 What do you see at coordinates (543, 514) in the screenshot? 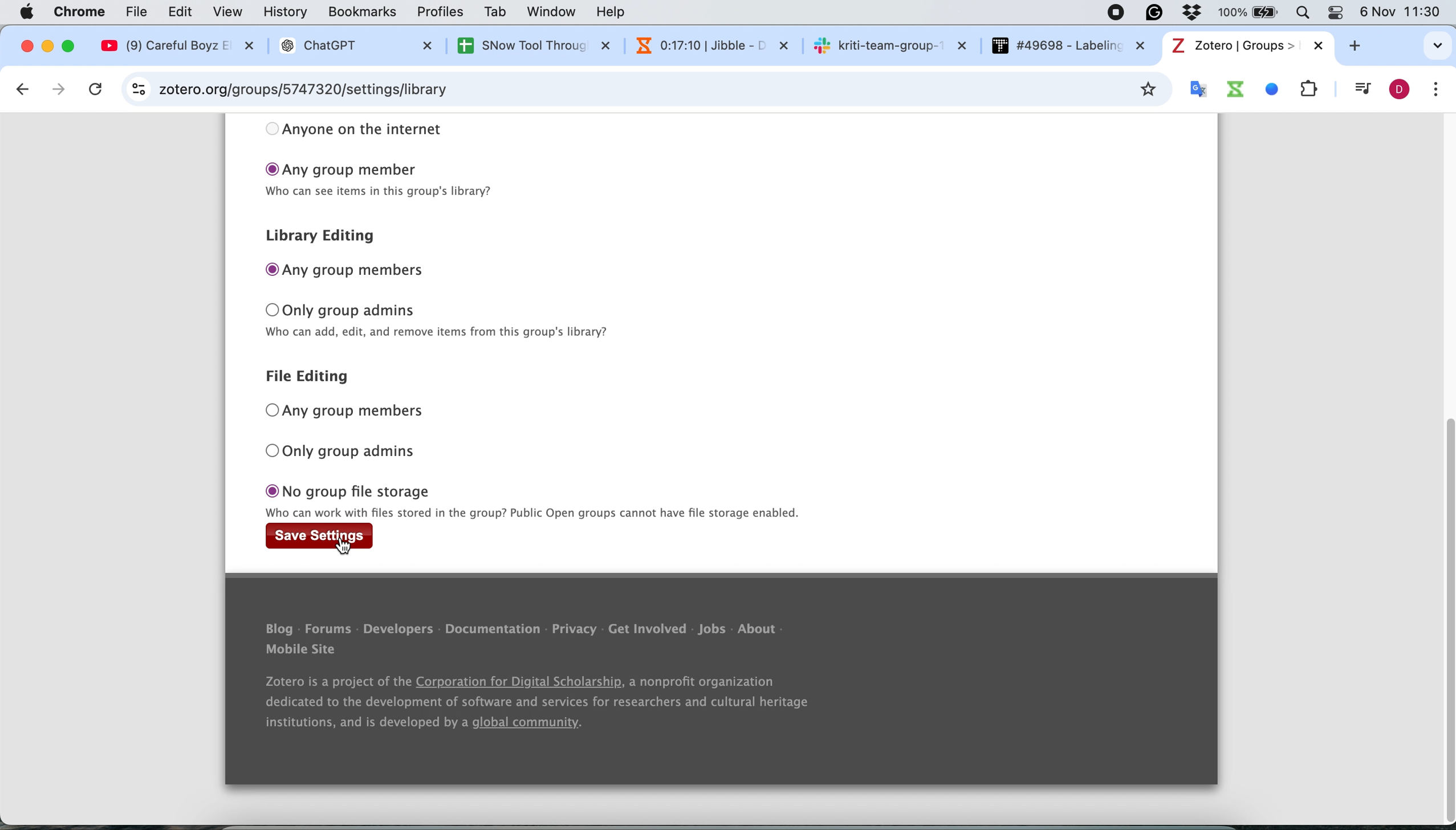
I see `text` at bounding box center [543, 514].